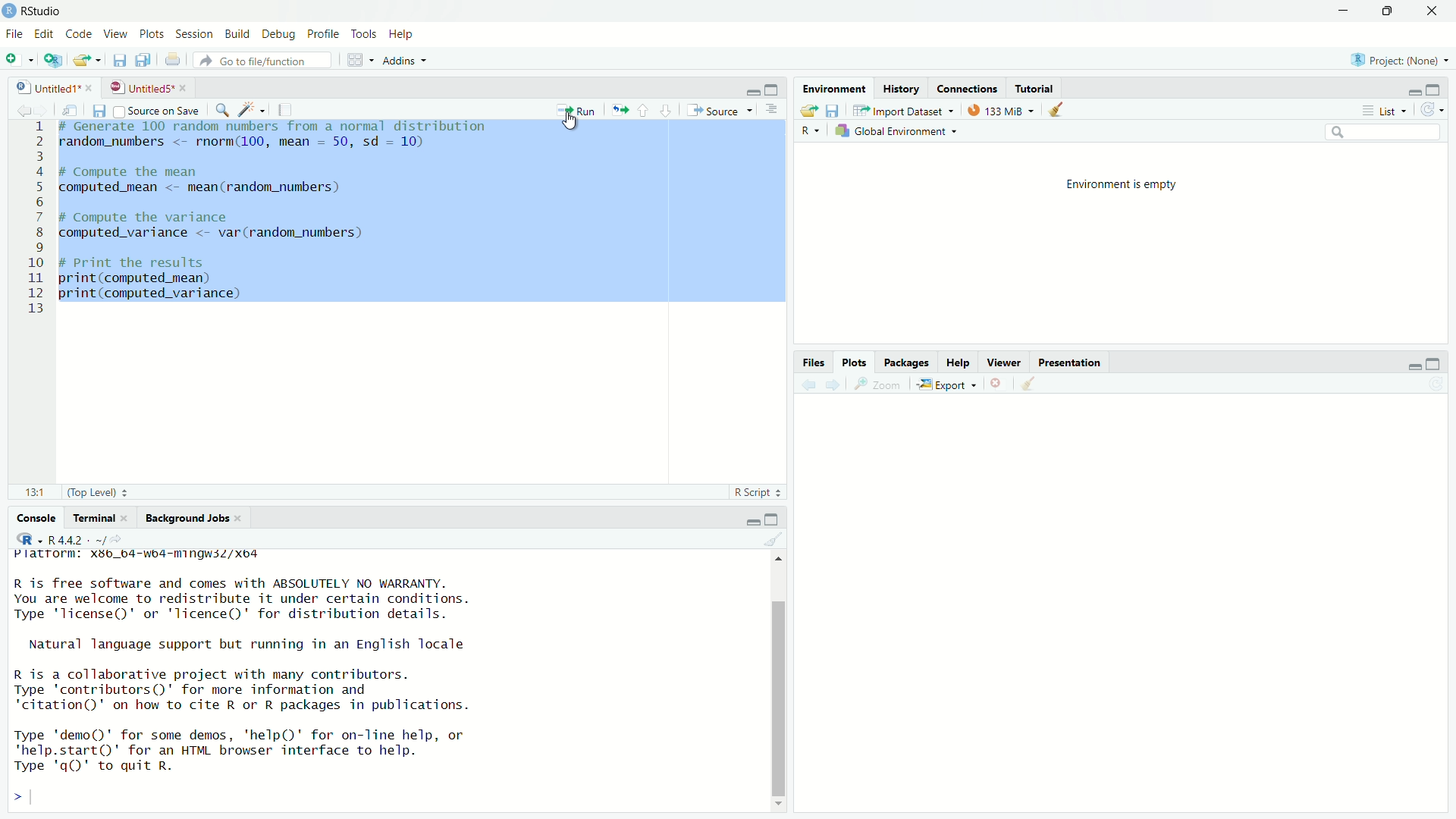  What do you see at coordinates (226, 190) in the screenshot?
I see `computed_mean <- mean(random_numbers)` at bounding box center [226, 190].